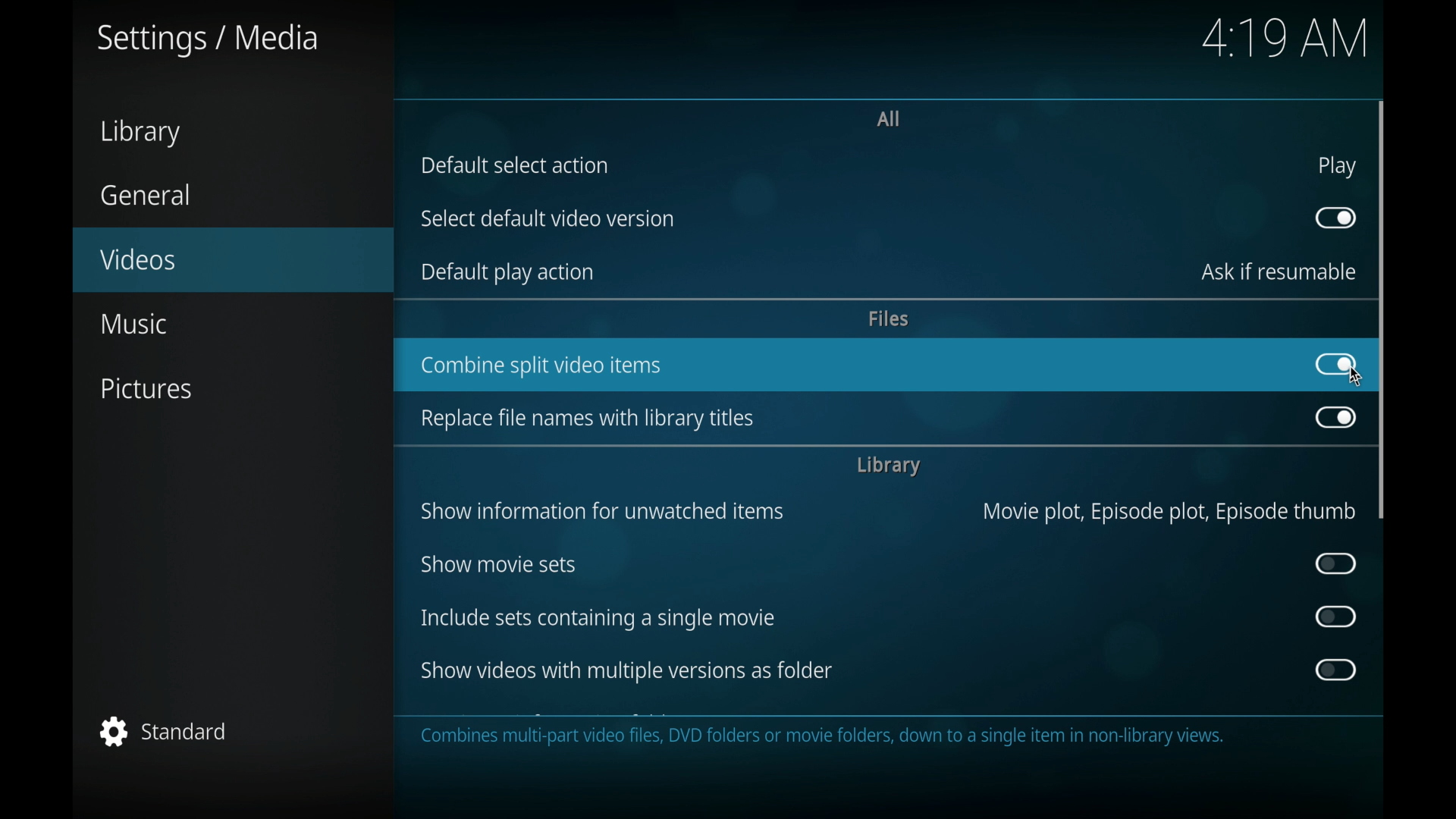 The image size is (1456, 819). I want to click on settings/ media, so click(205, 39).